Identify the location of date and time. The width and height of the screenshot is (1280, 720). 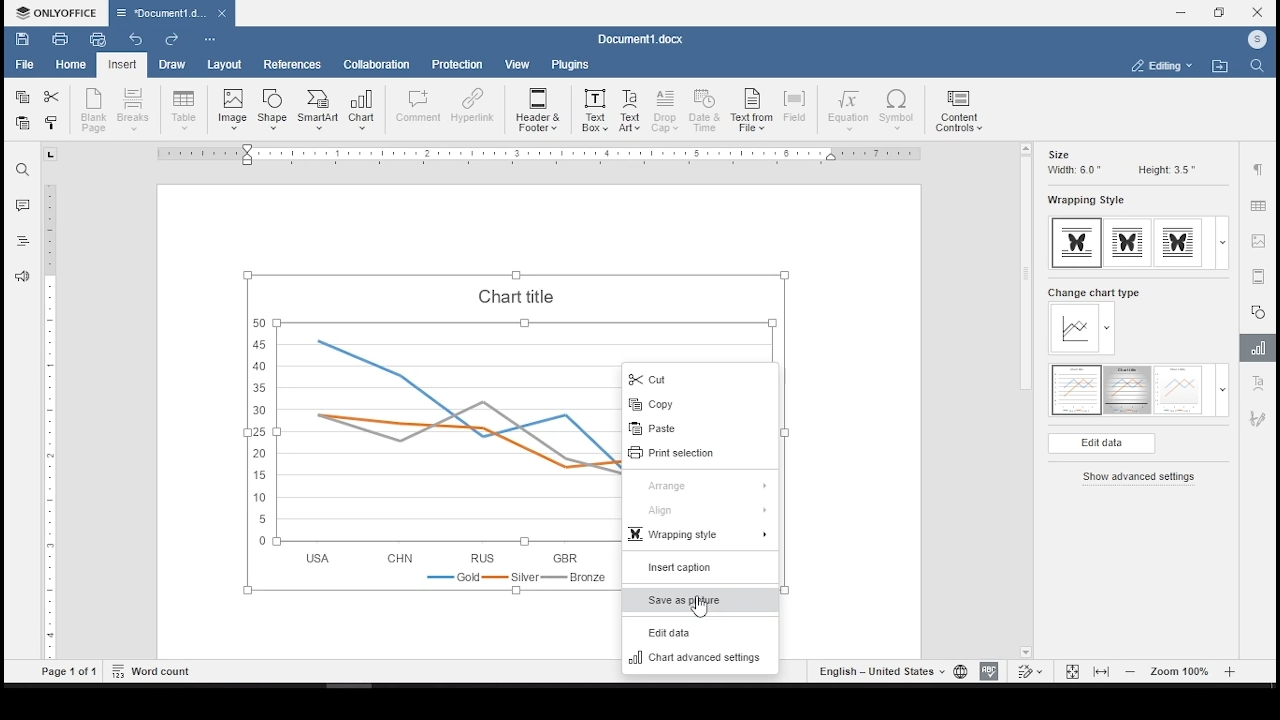
(706, 111).